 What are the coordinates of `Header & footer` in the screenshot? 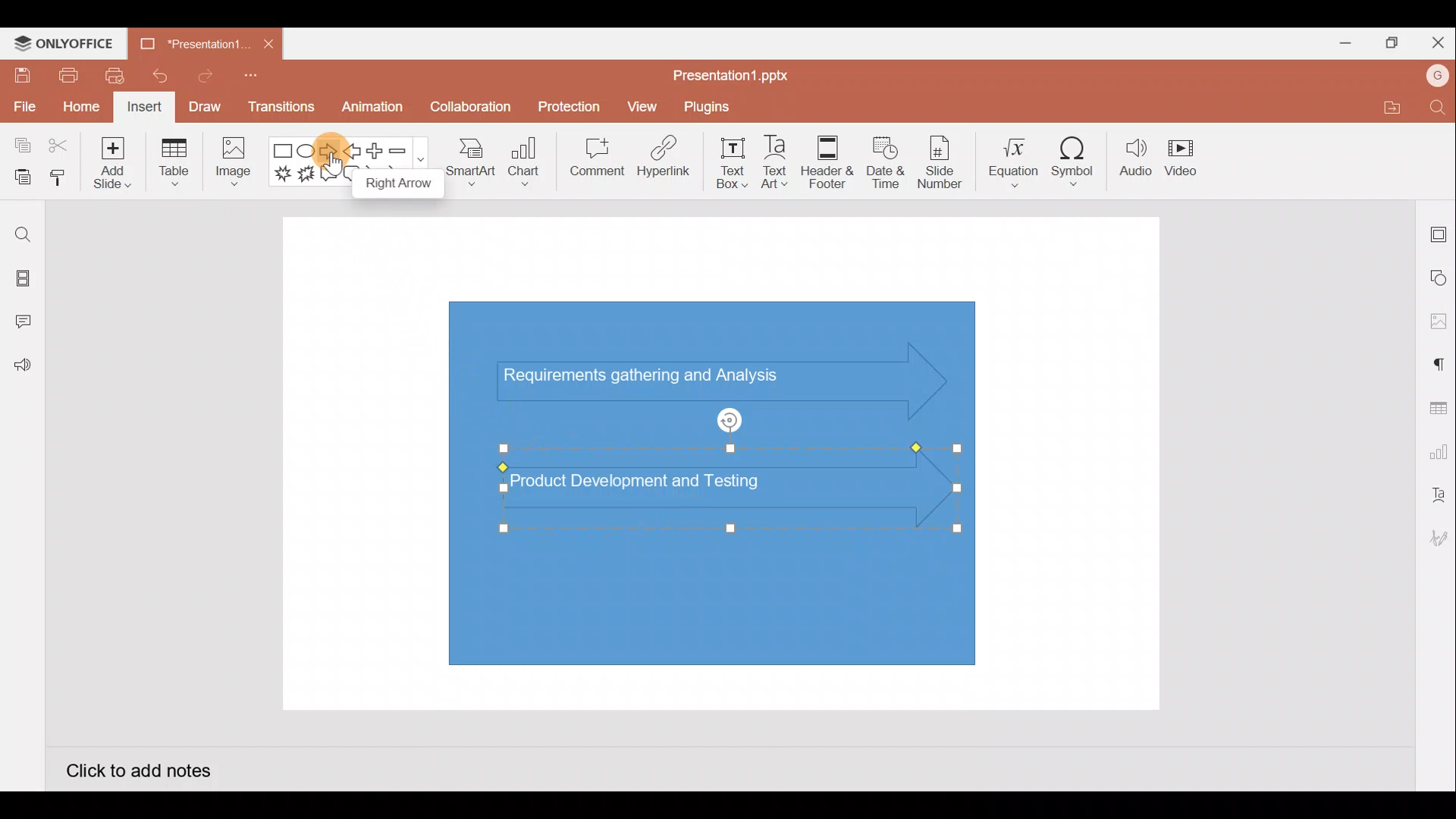 It's located at (828, 158).